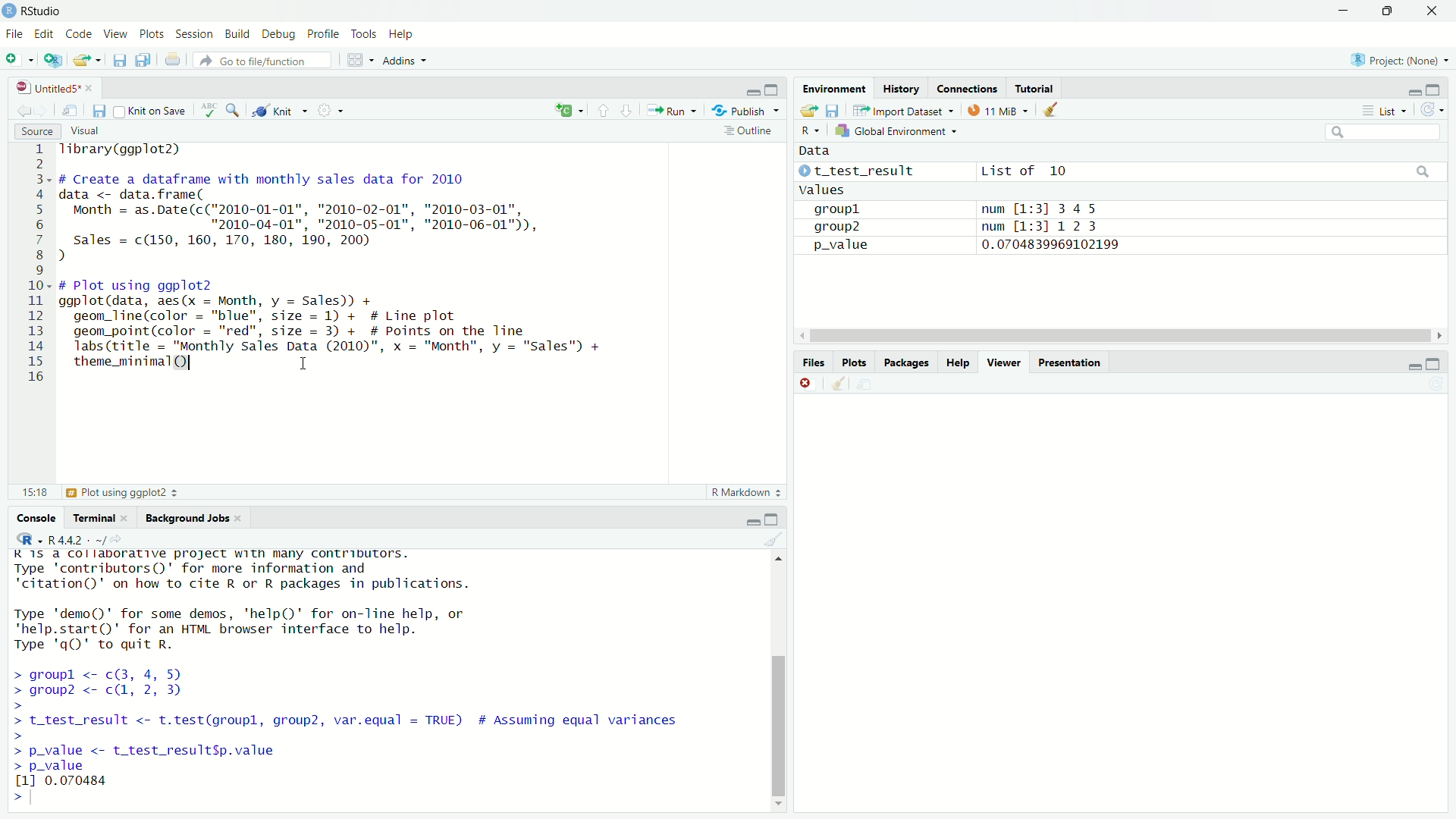  Describe the element at coordinates (908, 361) in the screenshot. I see `Packages` at that location.